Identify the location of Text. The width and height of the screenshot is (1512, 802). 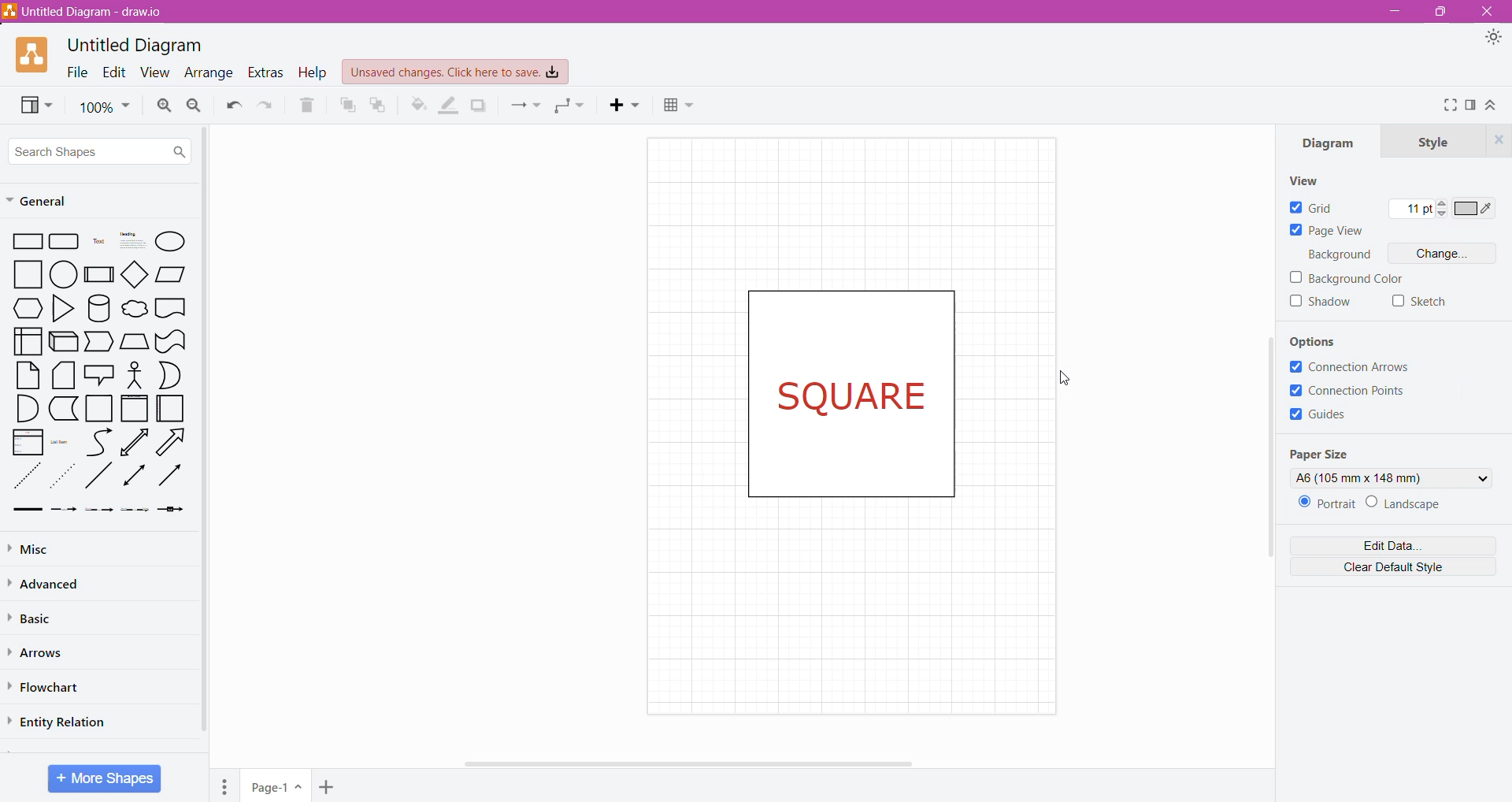
(99, 241).